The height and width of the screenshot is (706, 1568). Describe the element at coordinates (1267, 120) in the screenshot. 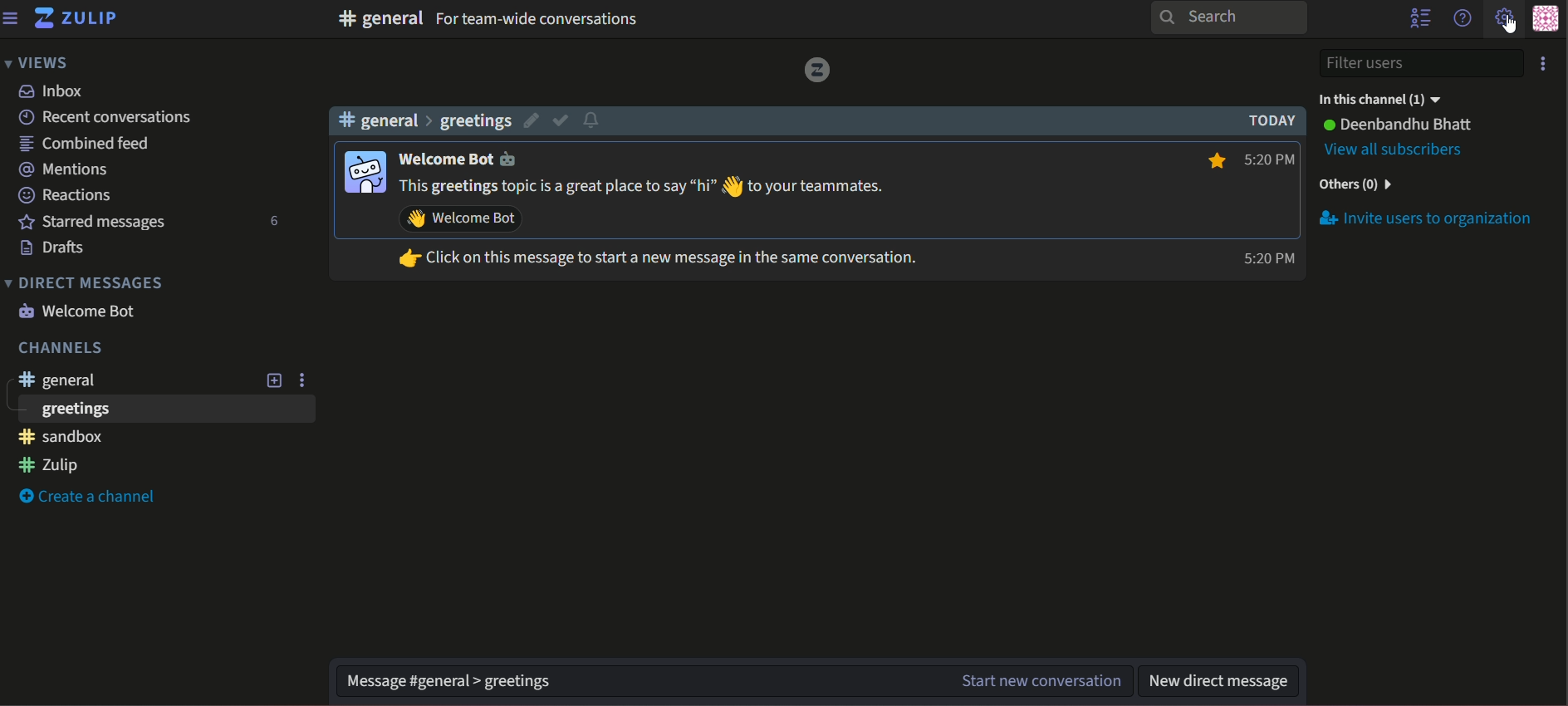

I see `today` at that location.